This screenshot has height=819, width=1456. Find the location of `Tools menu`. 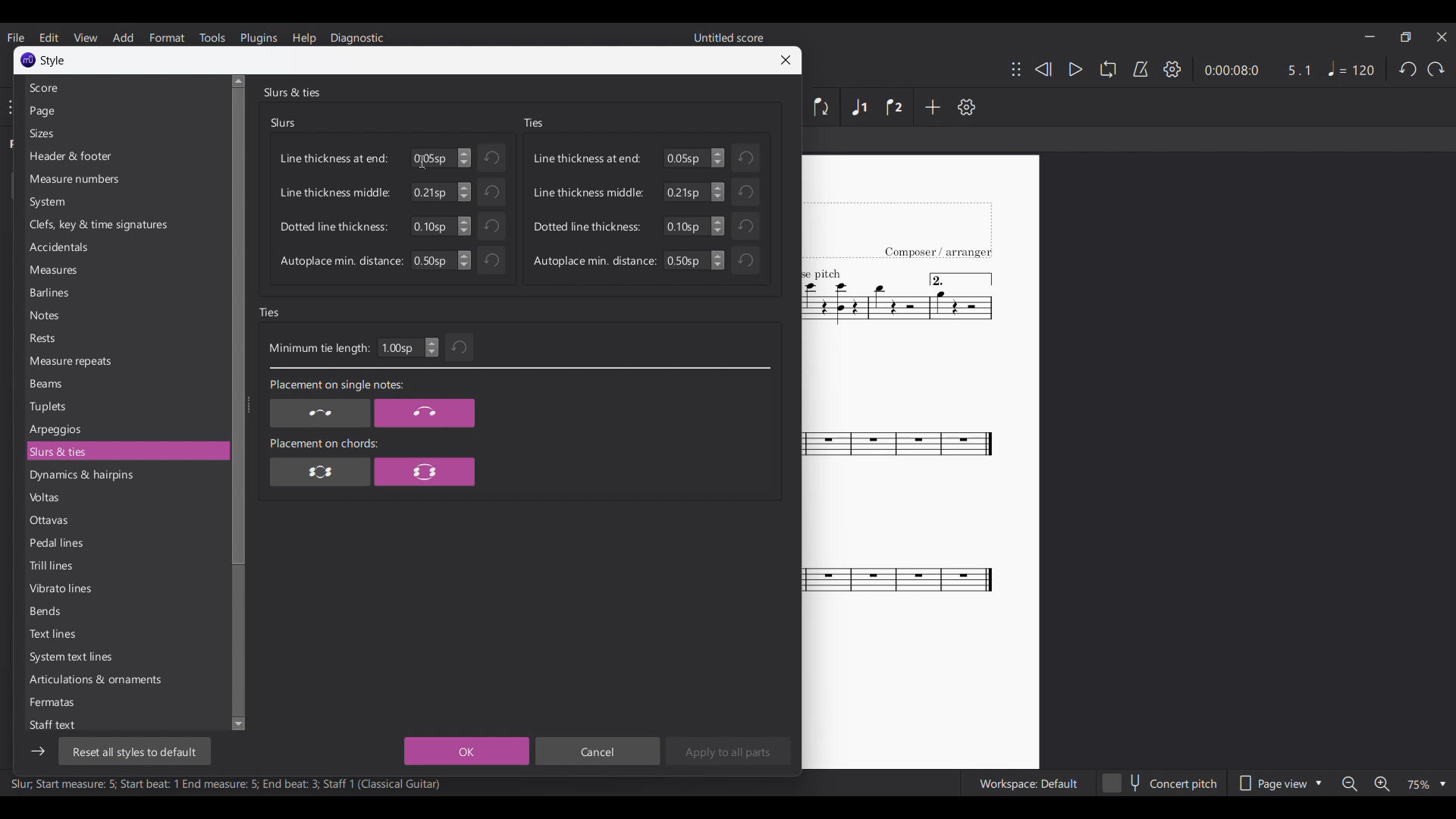

Tools menu is located at coordinates (212, 37).